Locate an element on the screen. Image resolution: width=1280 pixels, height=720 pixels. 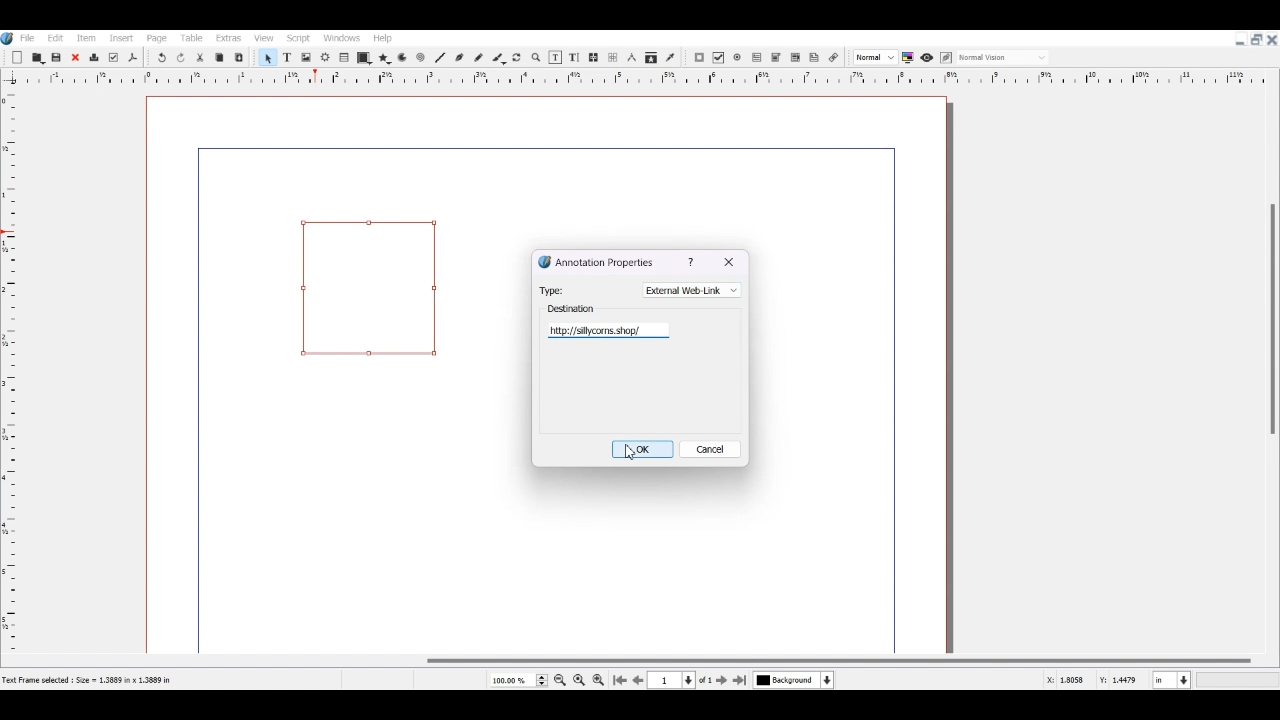
Go to next page is located at coordinates (723, 680).